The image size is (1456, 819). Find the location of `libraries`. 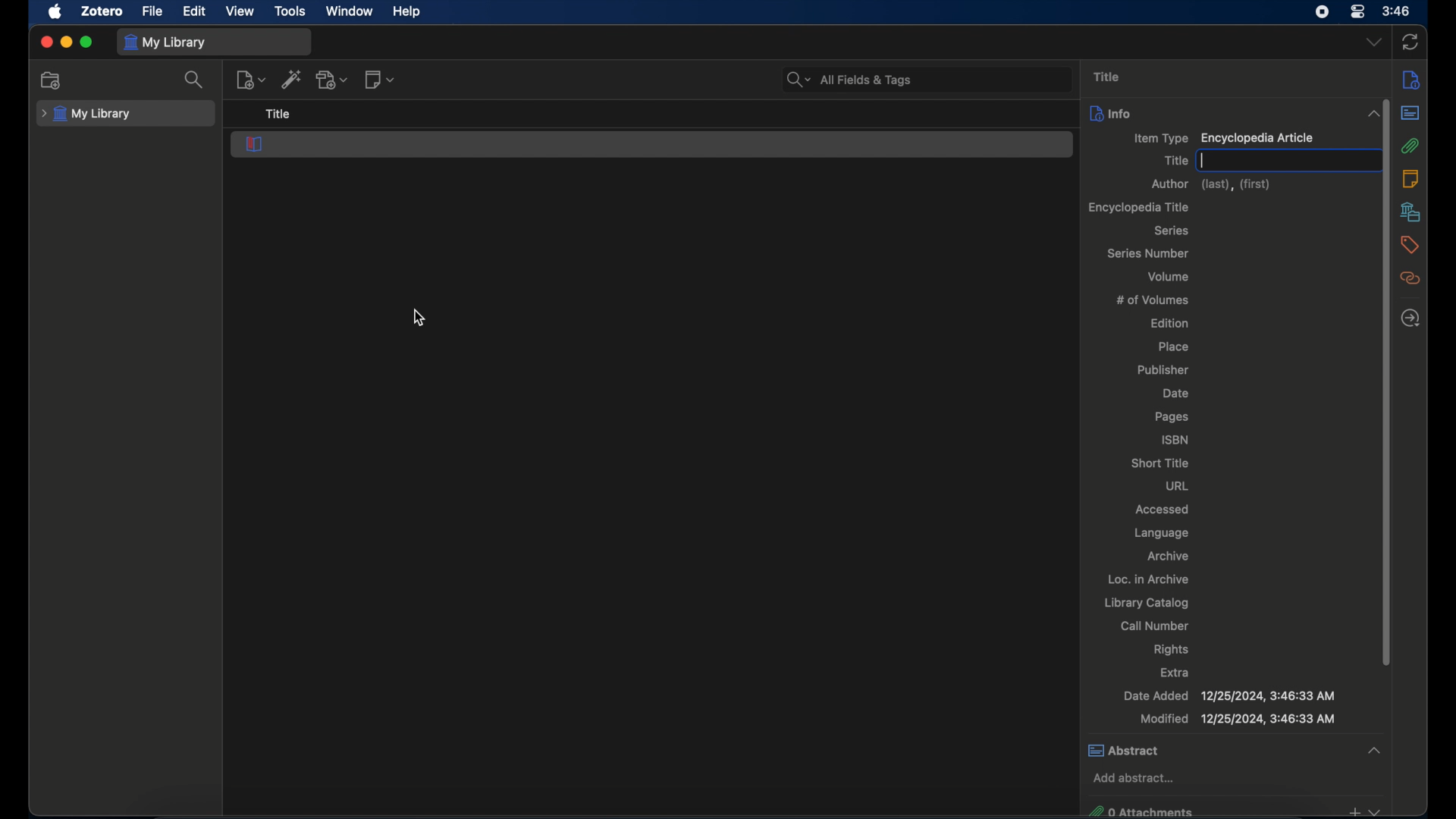

libraries is located at coordinates (1410, 212).